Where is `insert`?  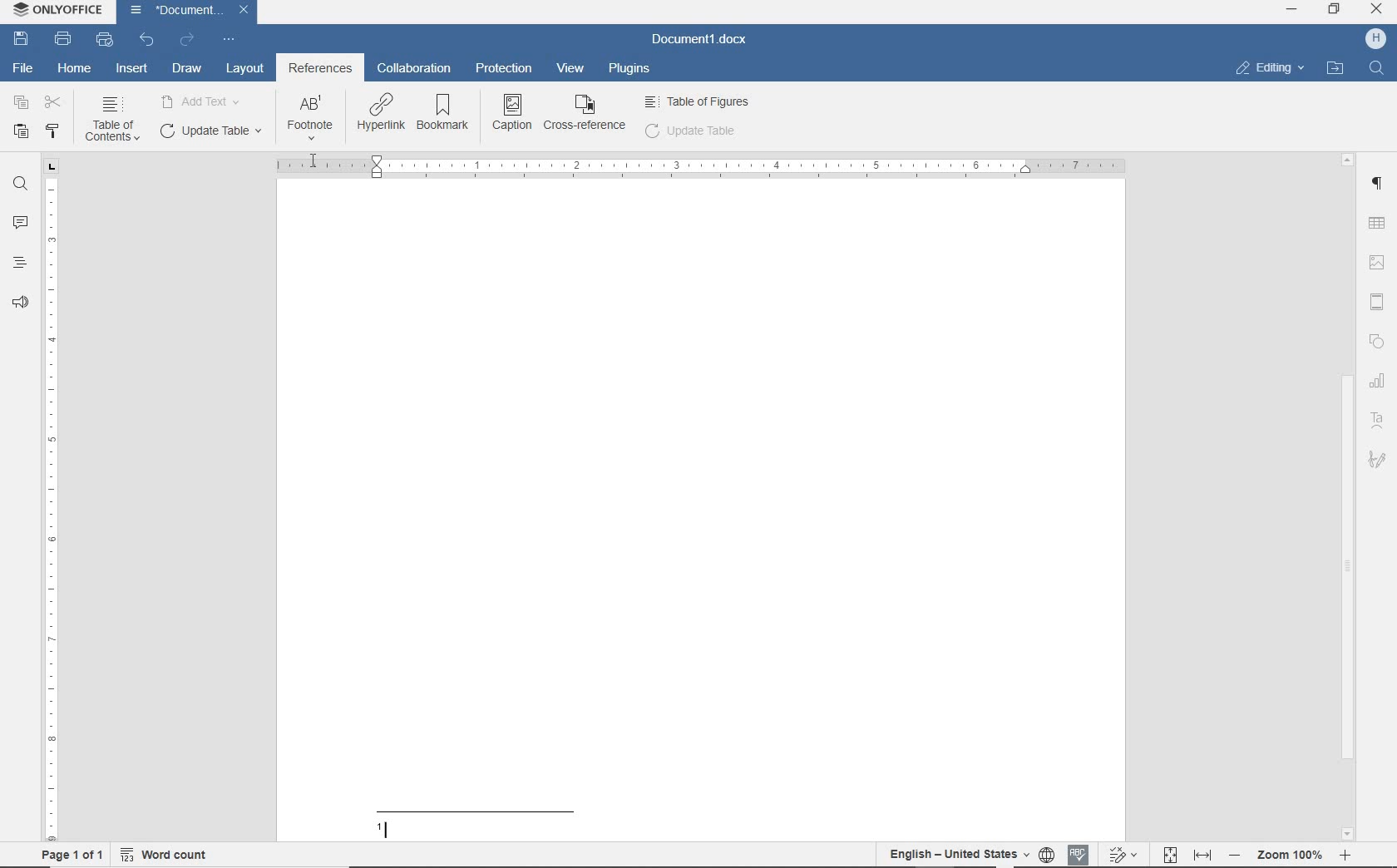
insert is located at coordinates (133, 70).